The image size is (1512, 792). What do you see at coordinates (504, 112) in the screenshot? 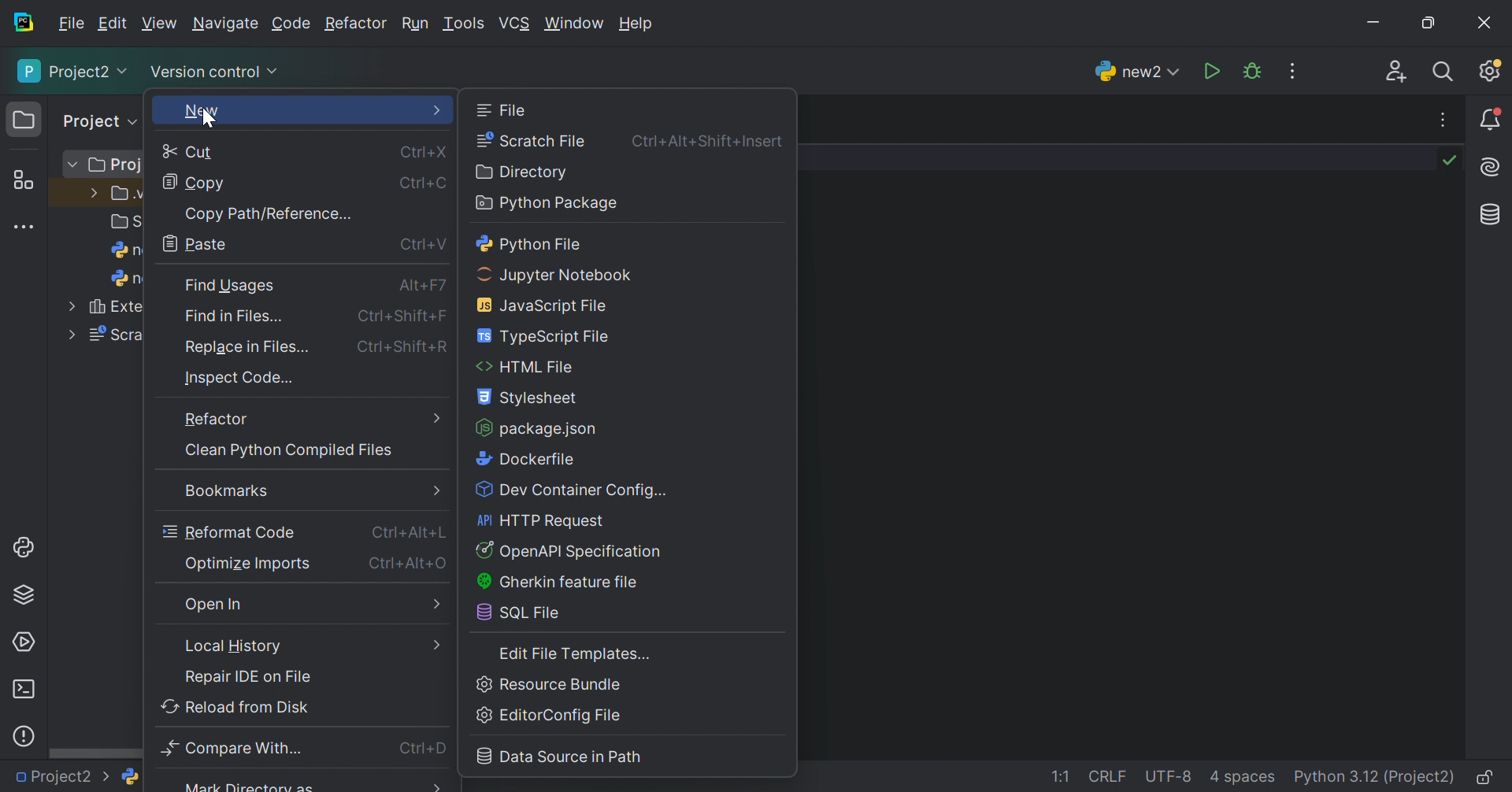
I see `File` at bounding box center [504, 112].